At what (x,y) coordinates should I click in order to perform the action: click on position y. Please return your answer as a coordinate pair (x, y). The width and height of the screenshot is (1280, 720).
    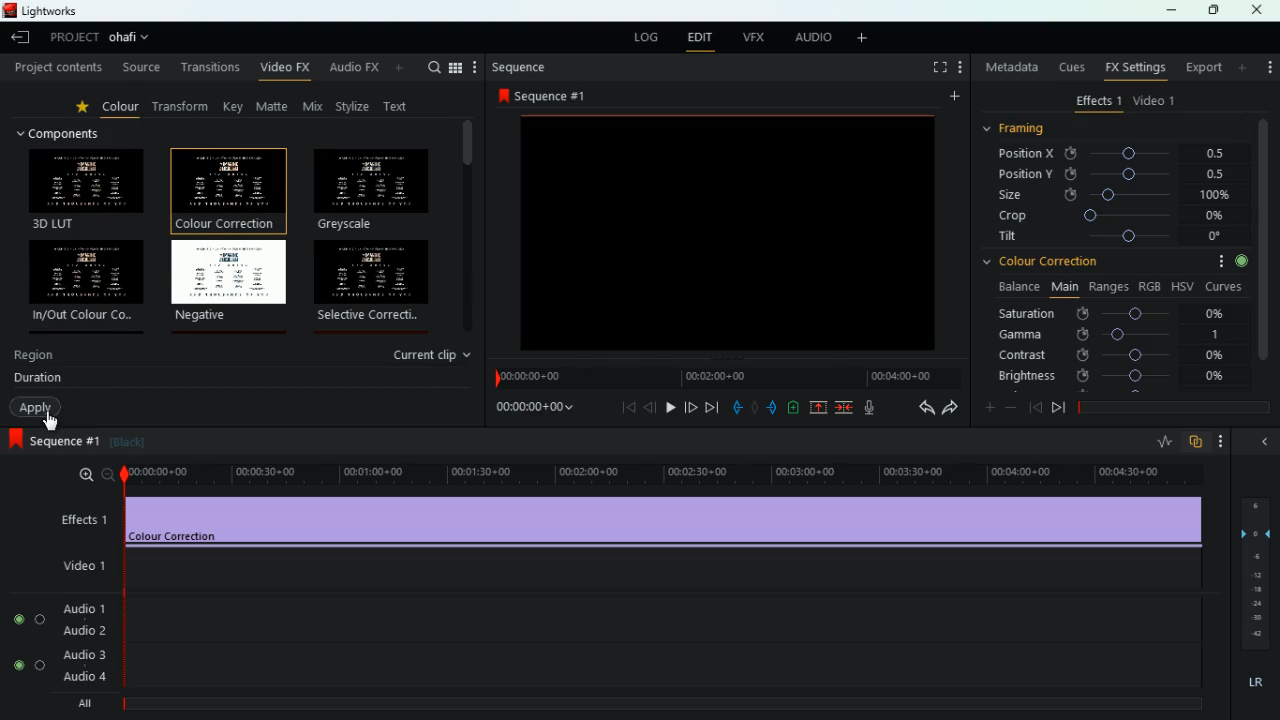
    Looking at the image, I should click on (1118, 173).